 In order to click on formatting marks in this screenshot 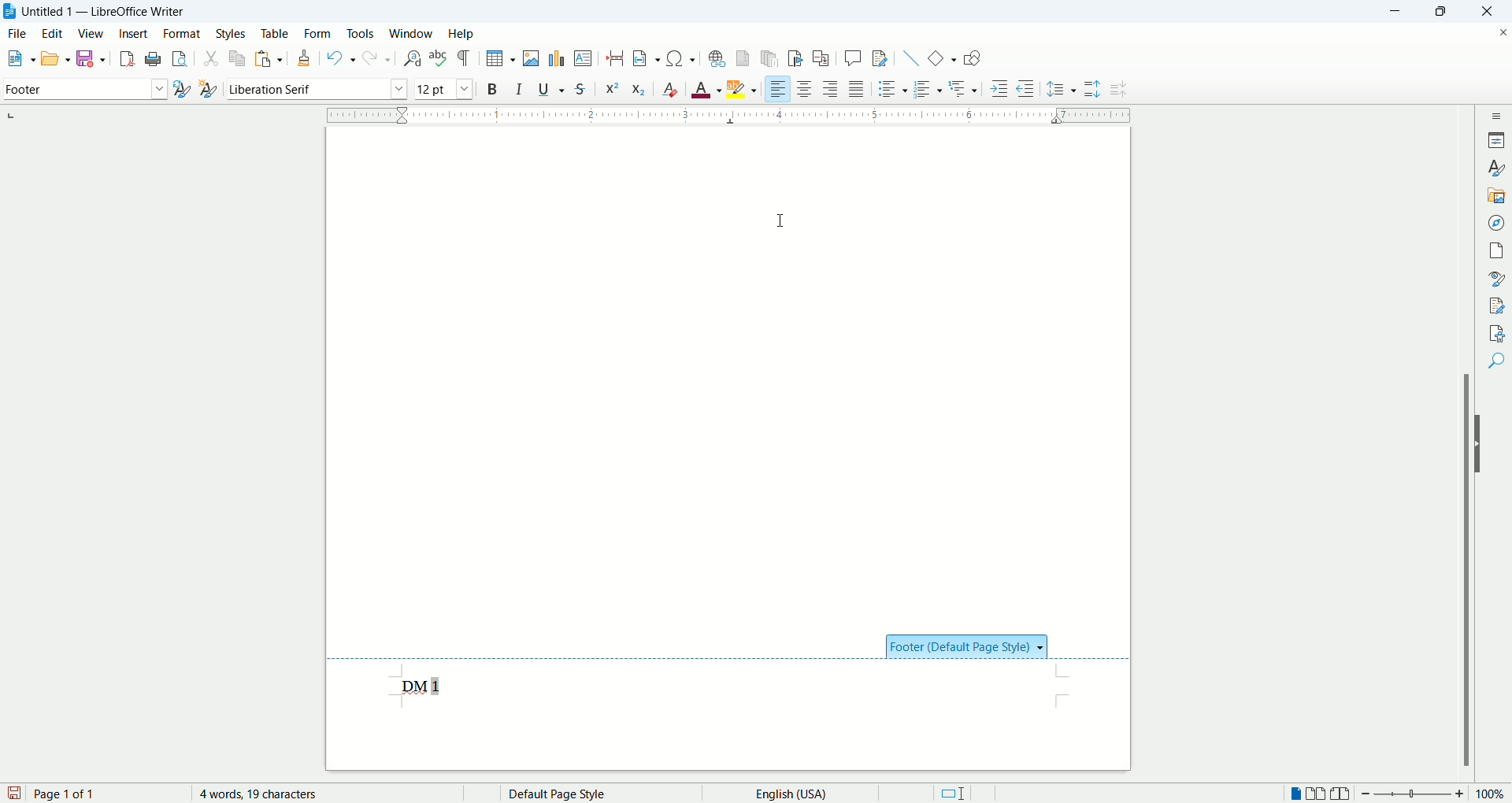, I will do `click(467, 57)`.